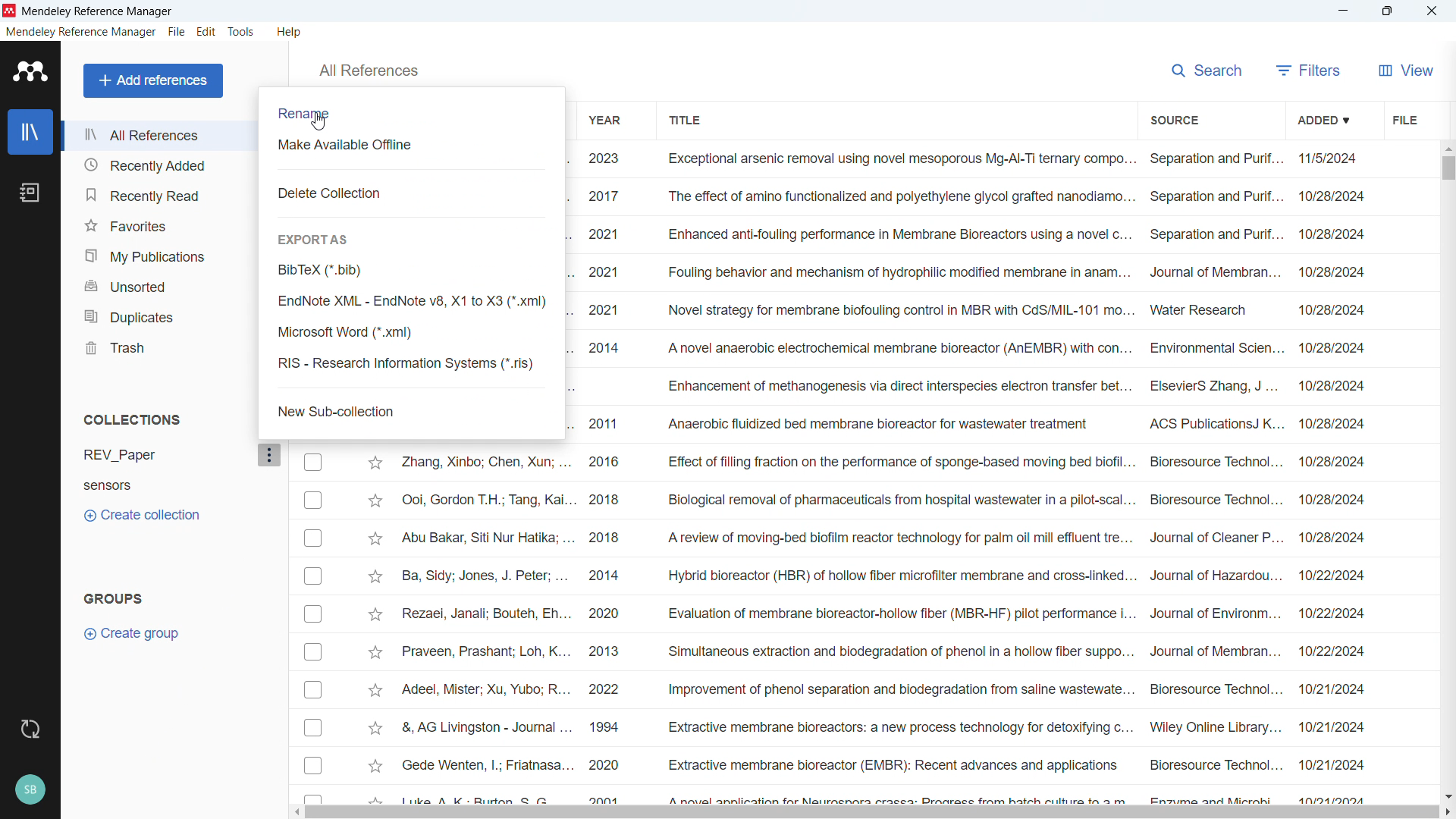  I want to click on Gede Wenten, |; Friatnasa... 2020 Extractive membrane bioreactor (EMBR): Recent advances and applications Bioresource Technol... 10/21/2024, so click(883, 764).